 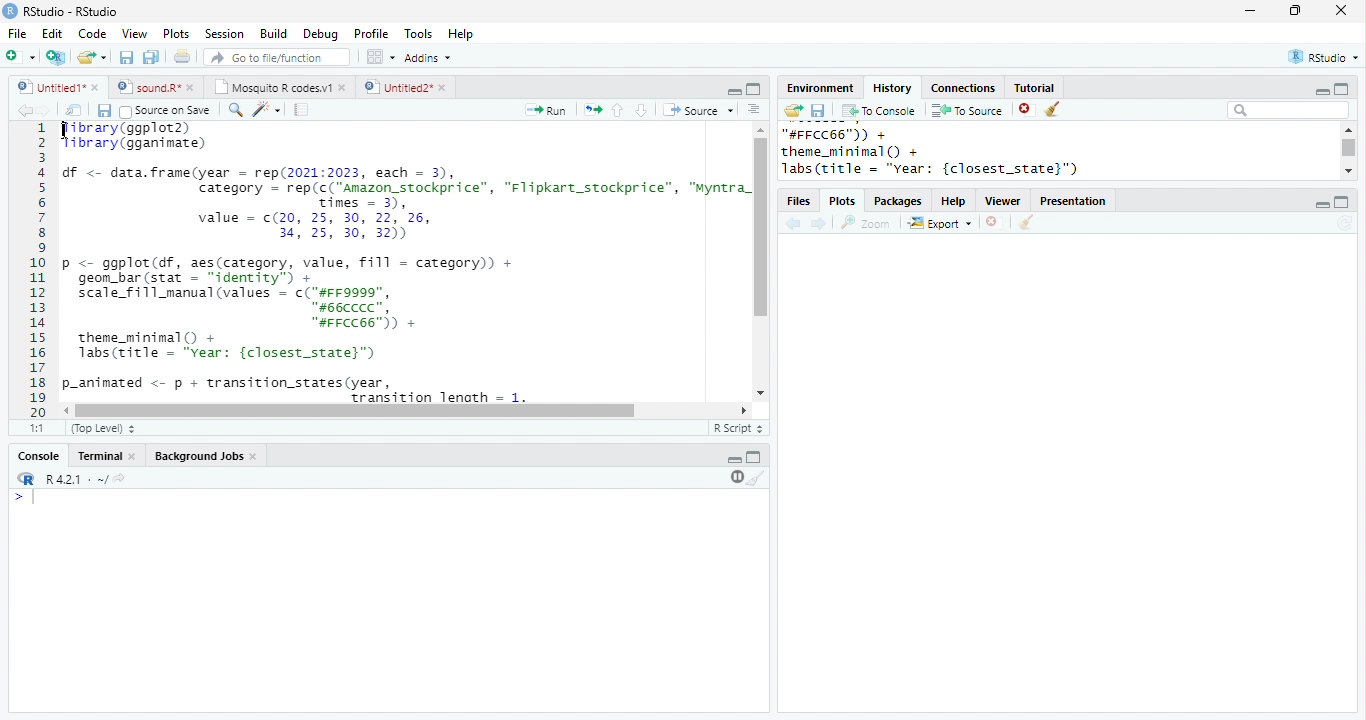 I want to click on maximize, so click(x=1342, y=202).